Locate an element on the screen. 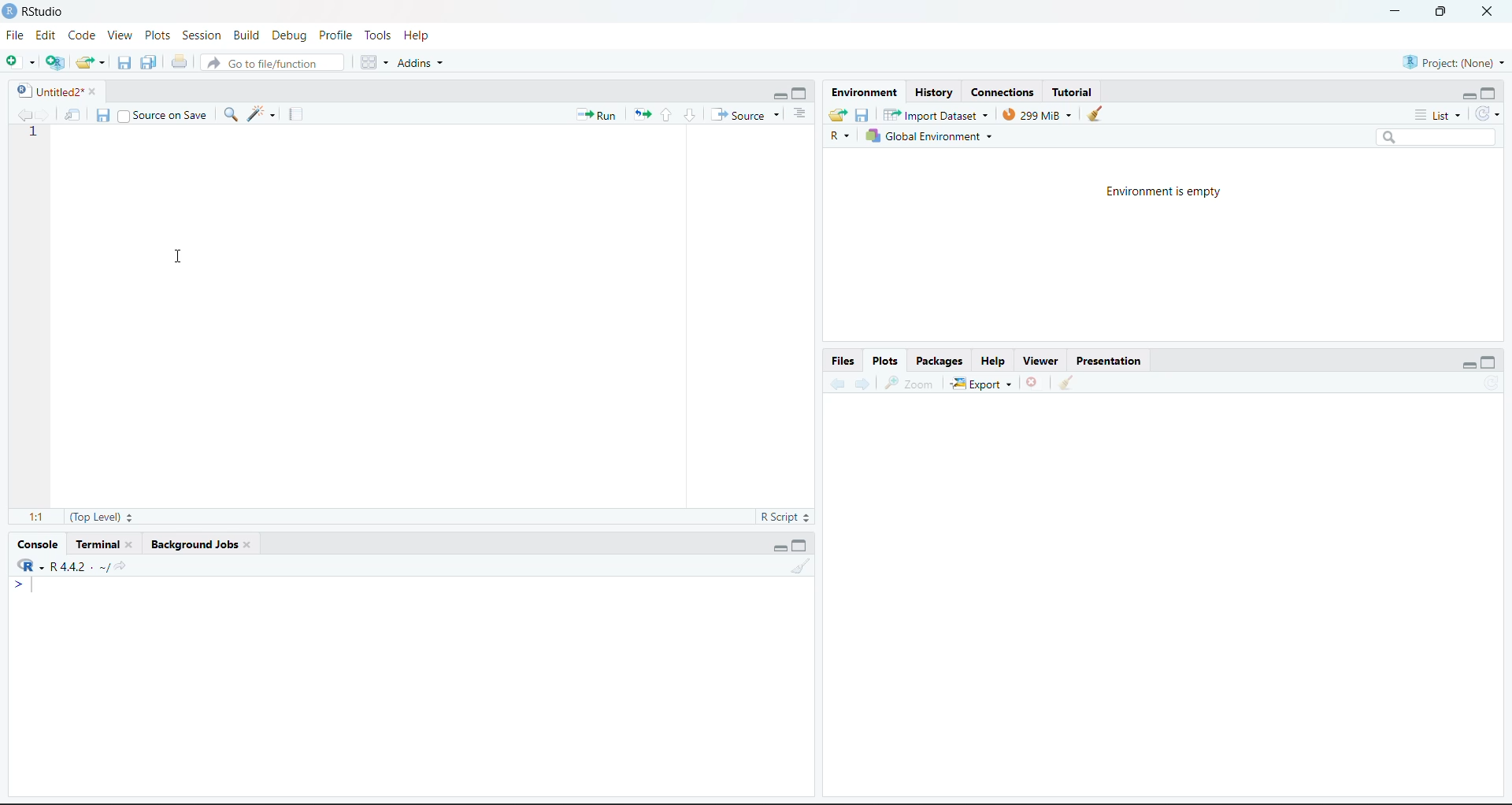  list is located at coordinates (1441, 116).